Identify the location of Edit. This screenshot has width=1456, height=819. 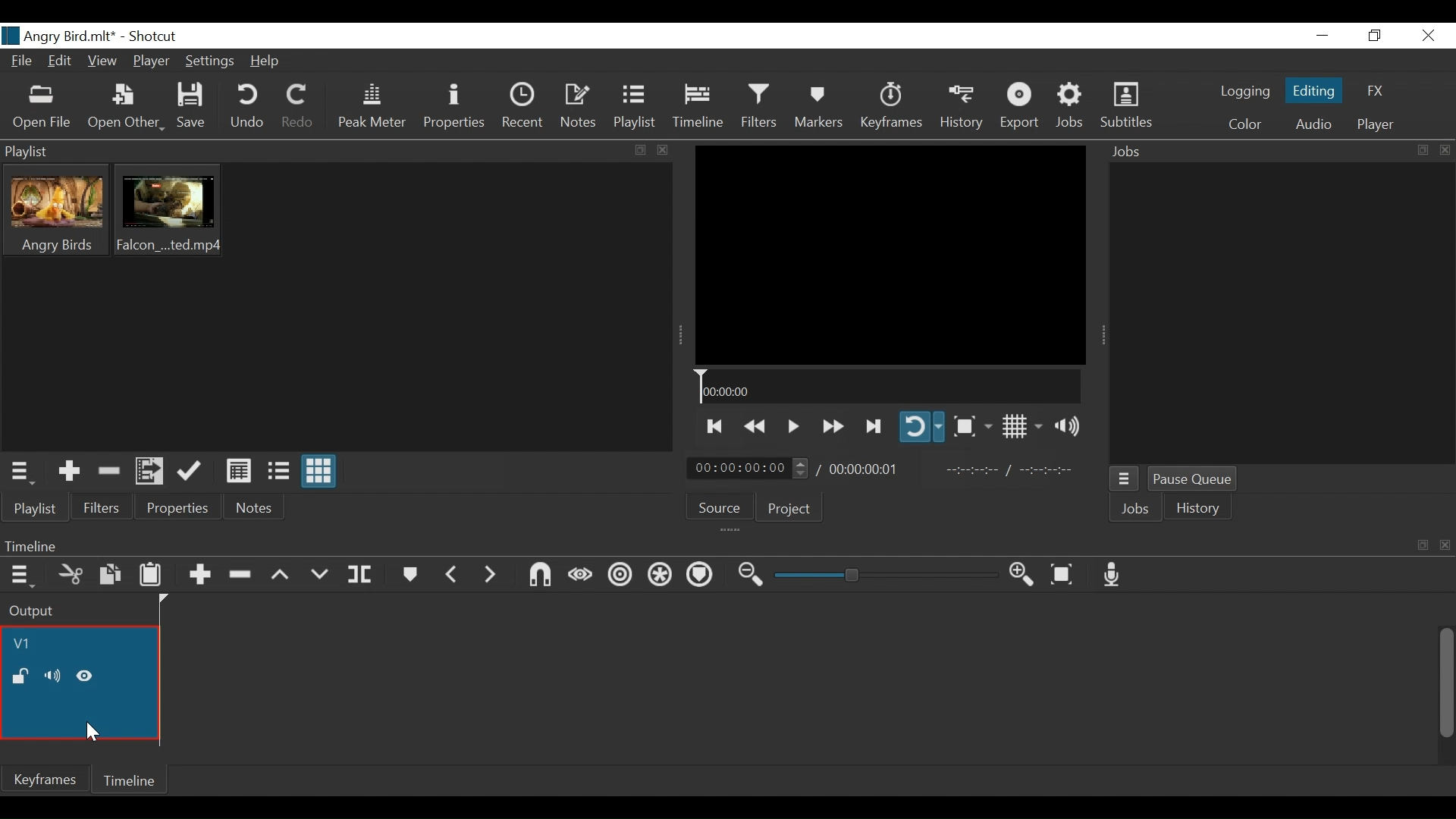
(61, 61).